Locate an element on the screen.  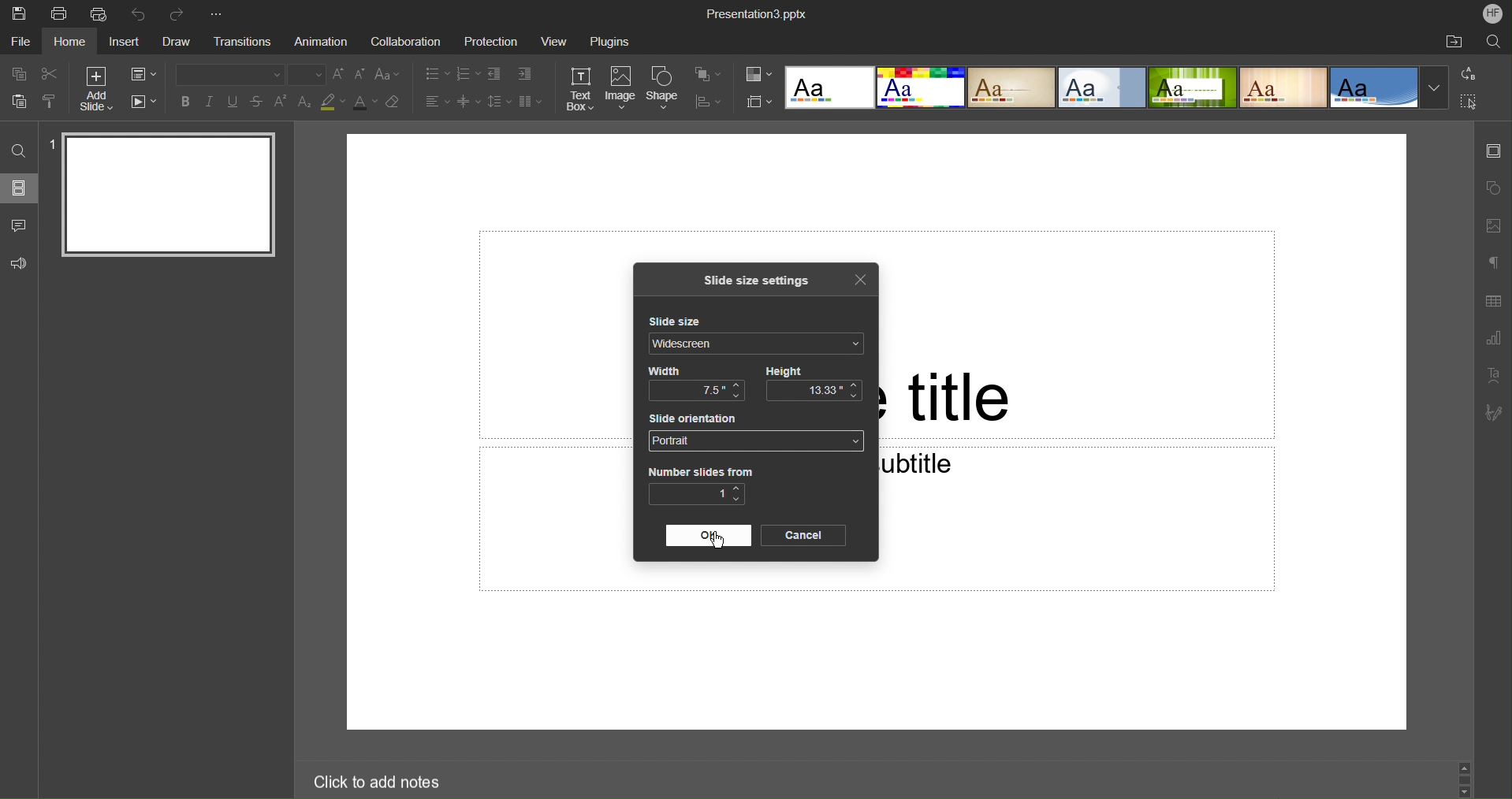
Text Art is located at coordinates (1493, 376).